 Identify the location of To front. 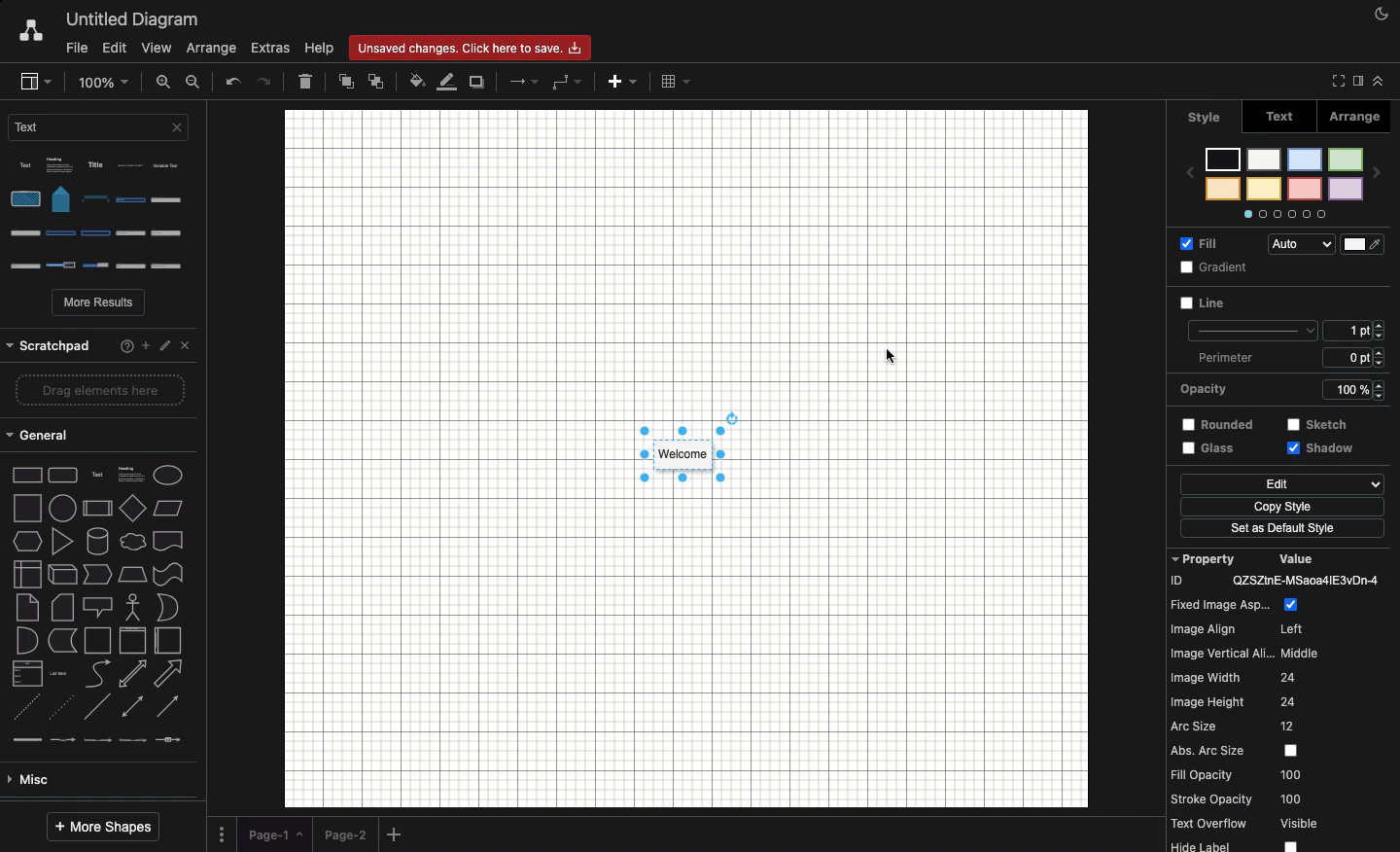
(345, 85).